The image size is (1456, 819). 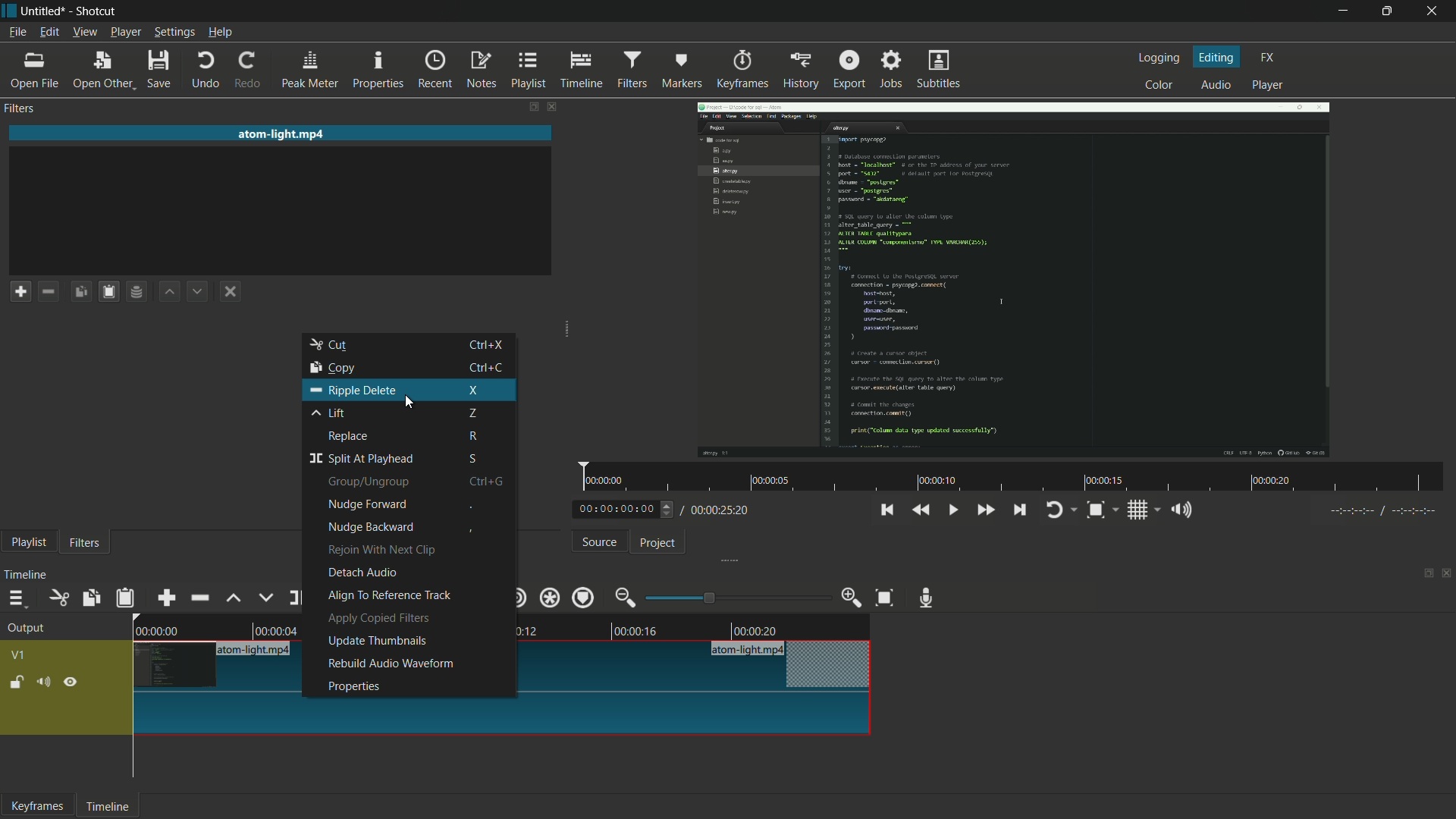 What do you see at coordinates (158, 632) in the screenshot?
I see `0:00:00:0` at bounding box center [158, 632].